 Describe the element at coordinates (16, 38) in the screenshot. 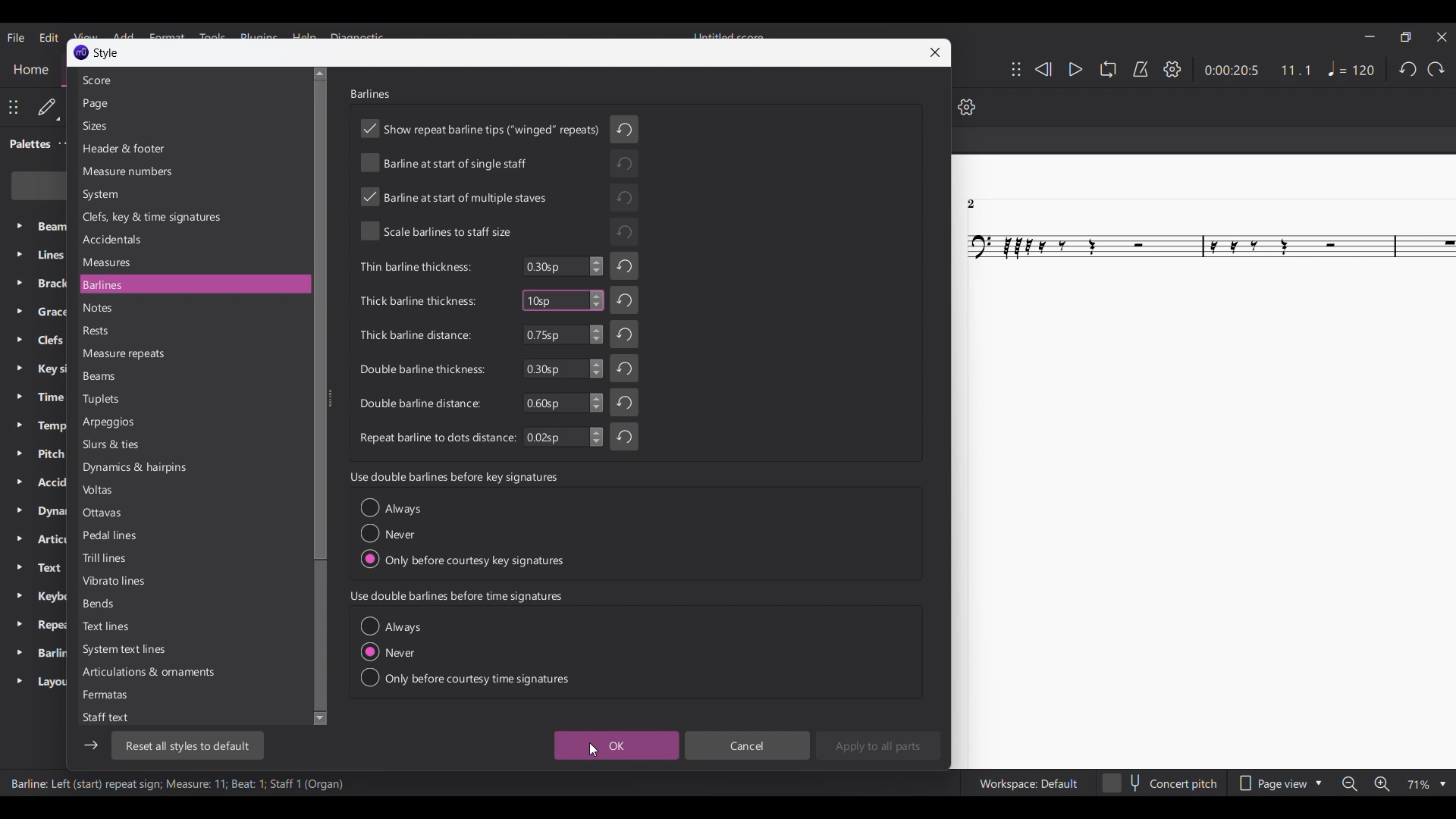

I see `File menu` at that location.